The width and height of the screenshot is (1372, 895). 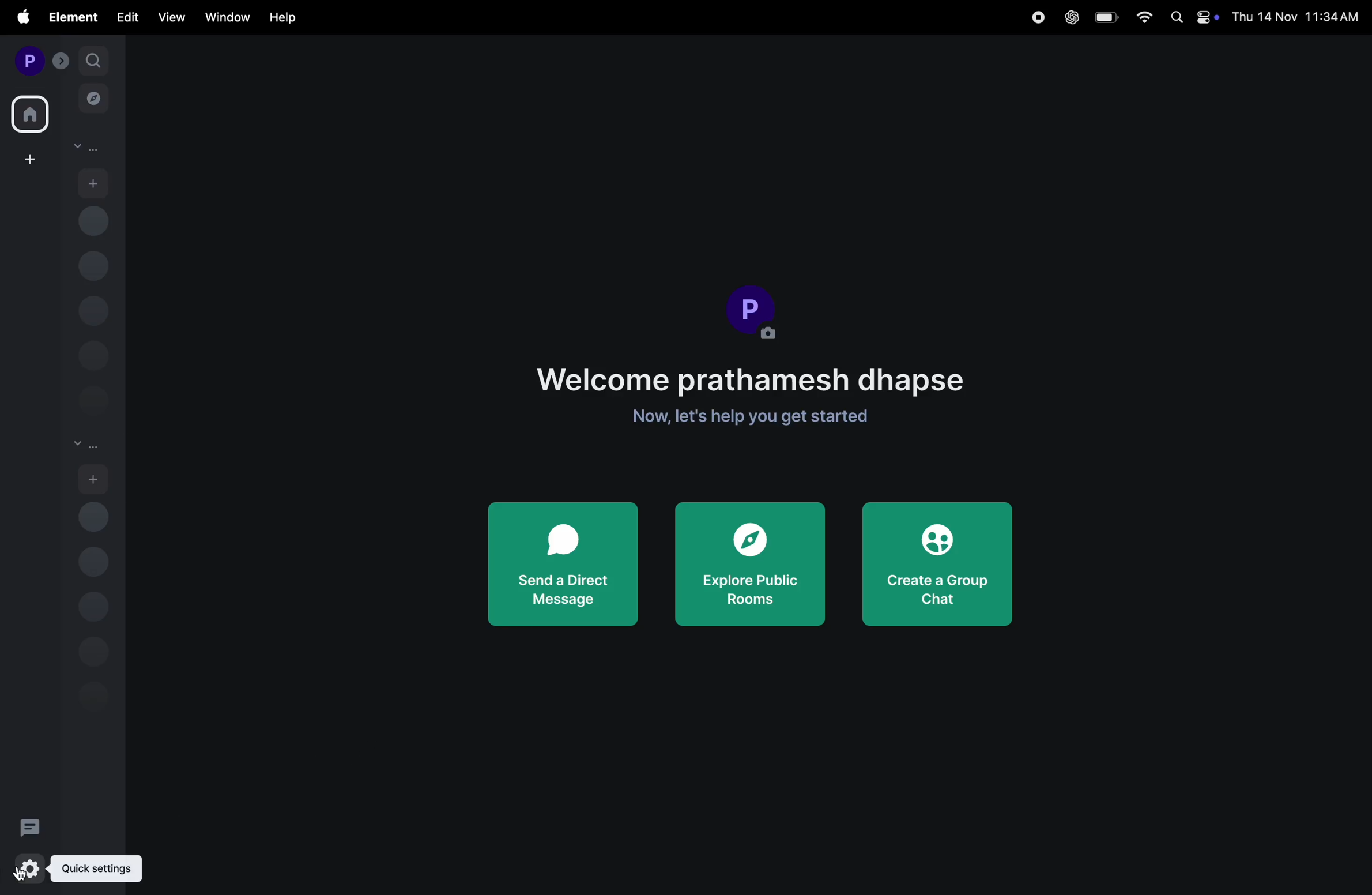 What do you see at coordinates (170, 17) in the screenshot?
I see `view` at bounding box center [170, 17].